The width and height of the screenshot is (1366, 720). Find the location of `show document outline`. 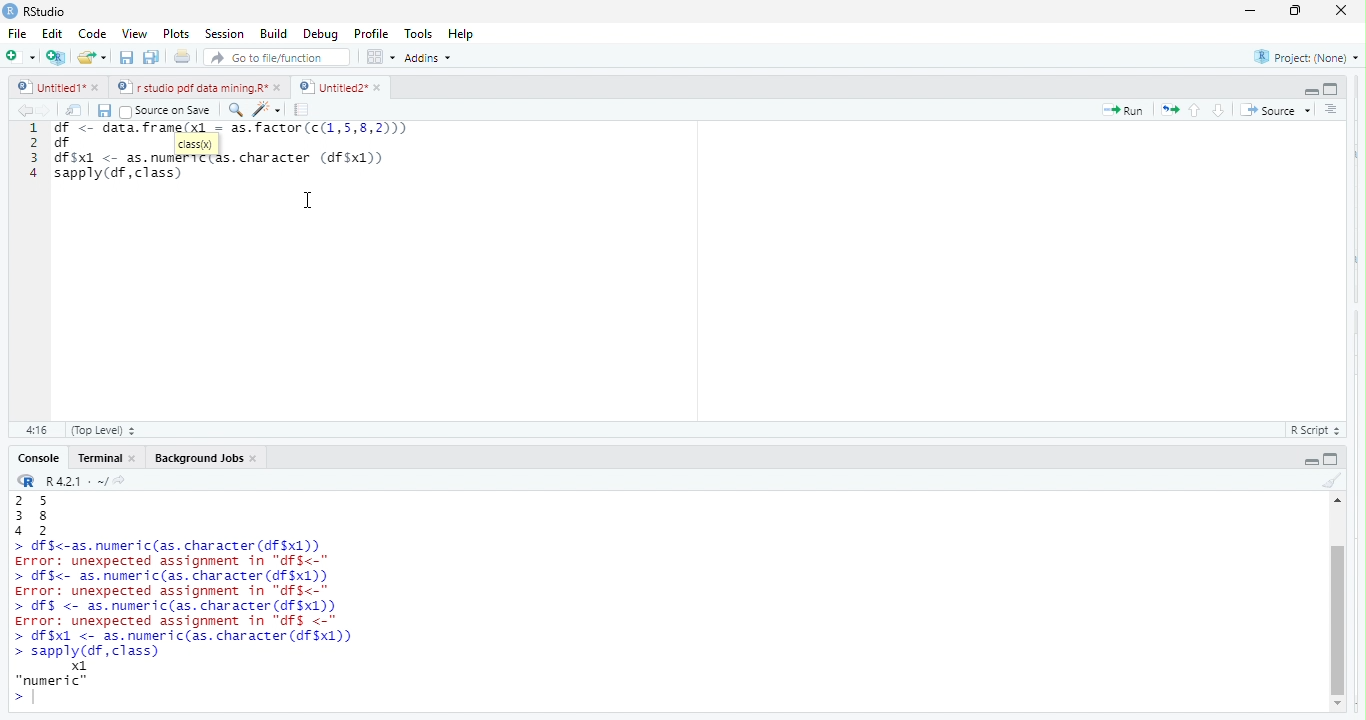

show document outline is located at coordinates (1332, 111).